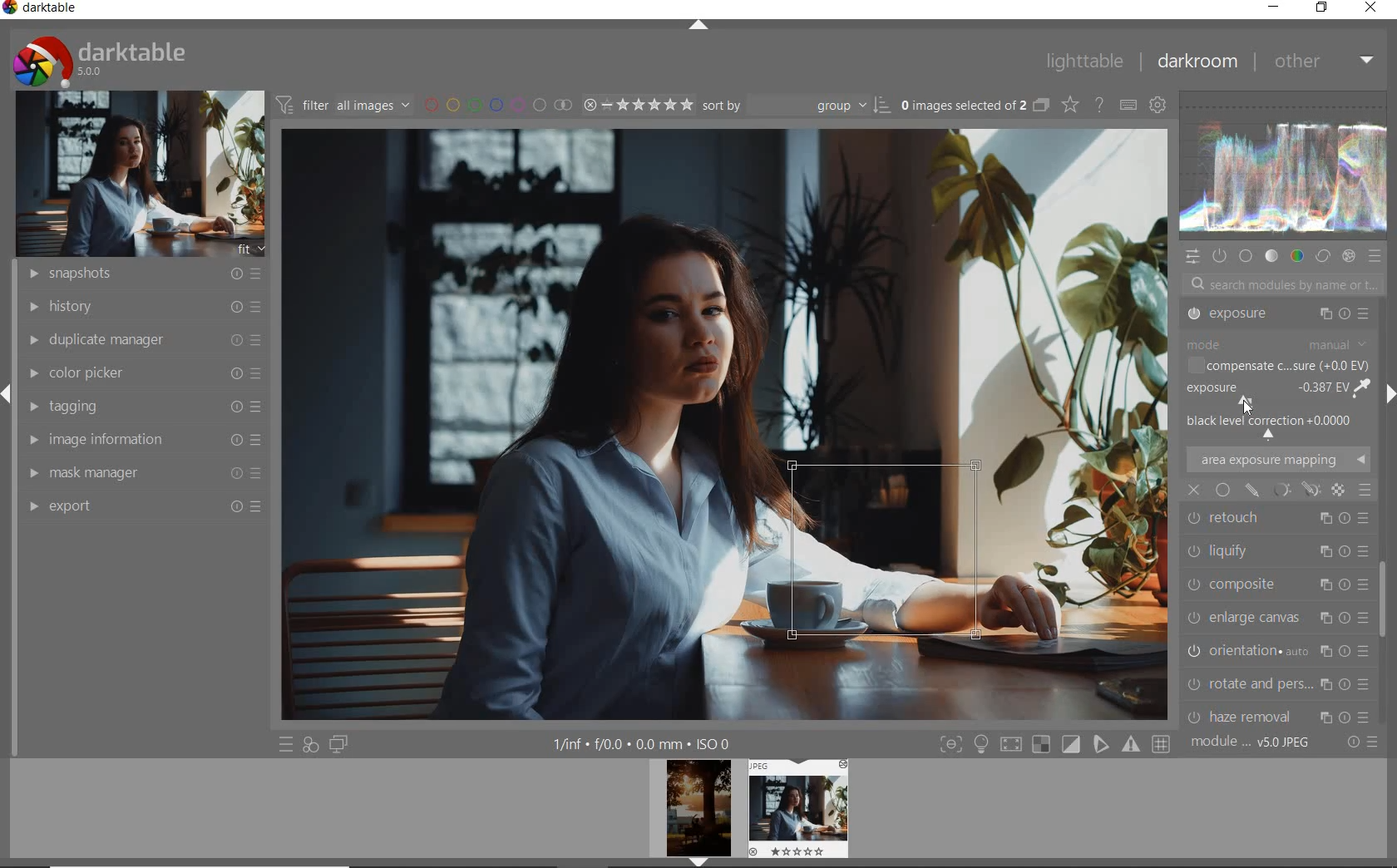 This screenshot has height=868, width=1397. Describe the element at coordinates (1199, 61) in the screenshot. I see `DARKROOM` at that location.